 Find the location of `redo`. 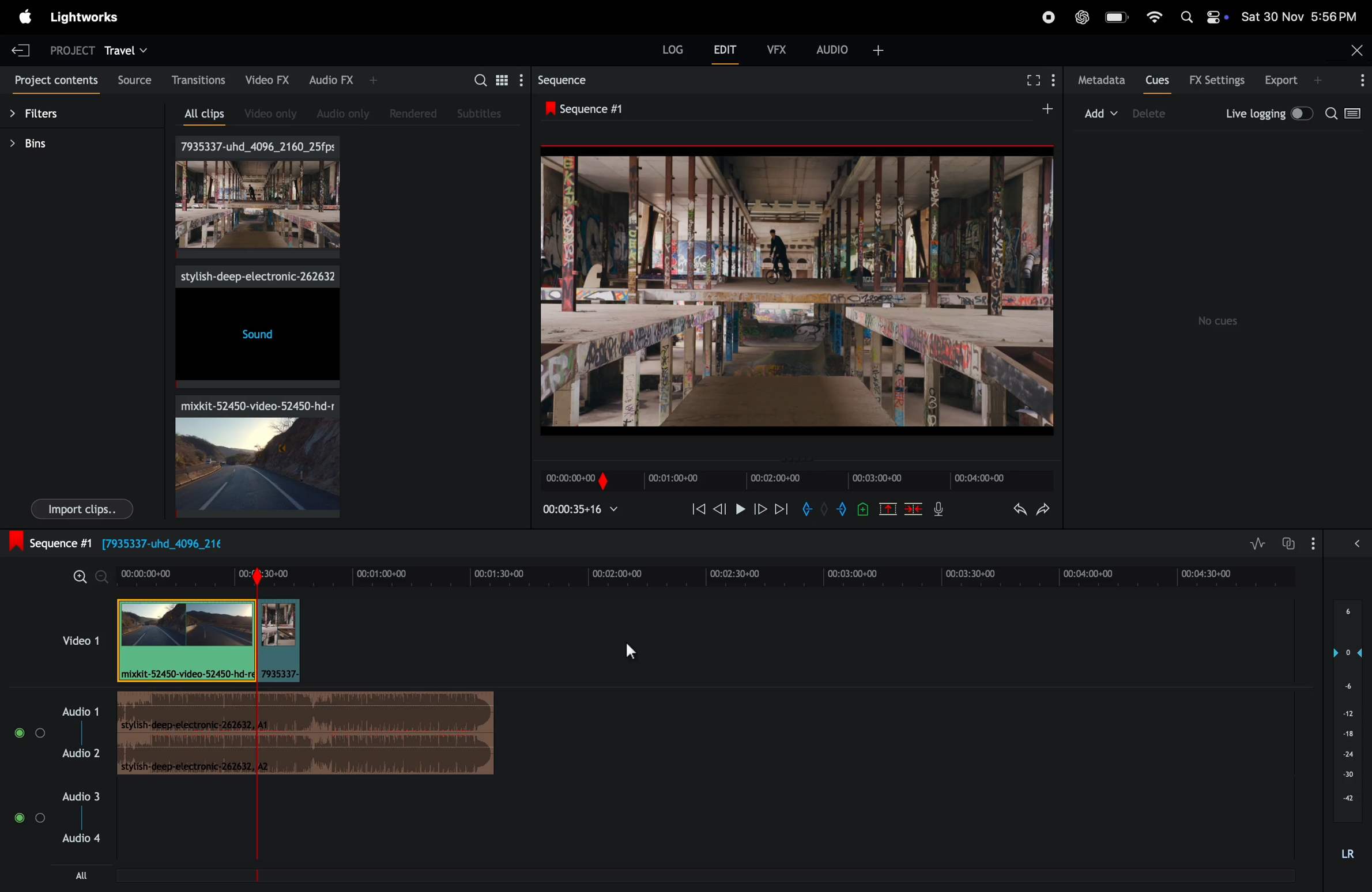

redo is located at coordinates (1043, 511).